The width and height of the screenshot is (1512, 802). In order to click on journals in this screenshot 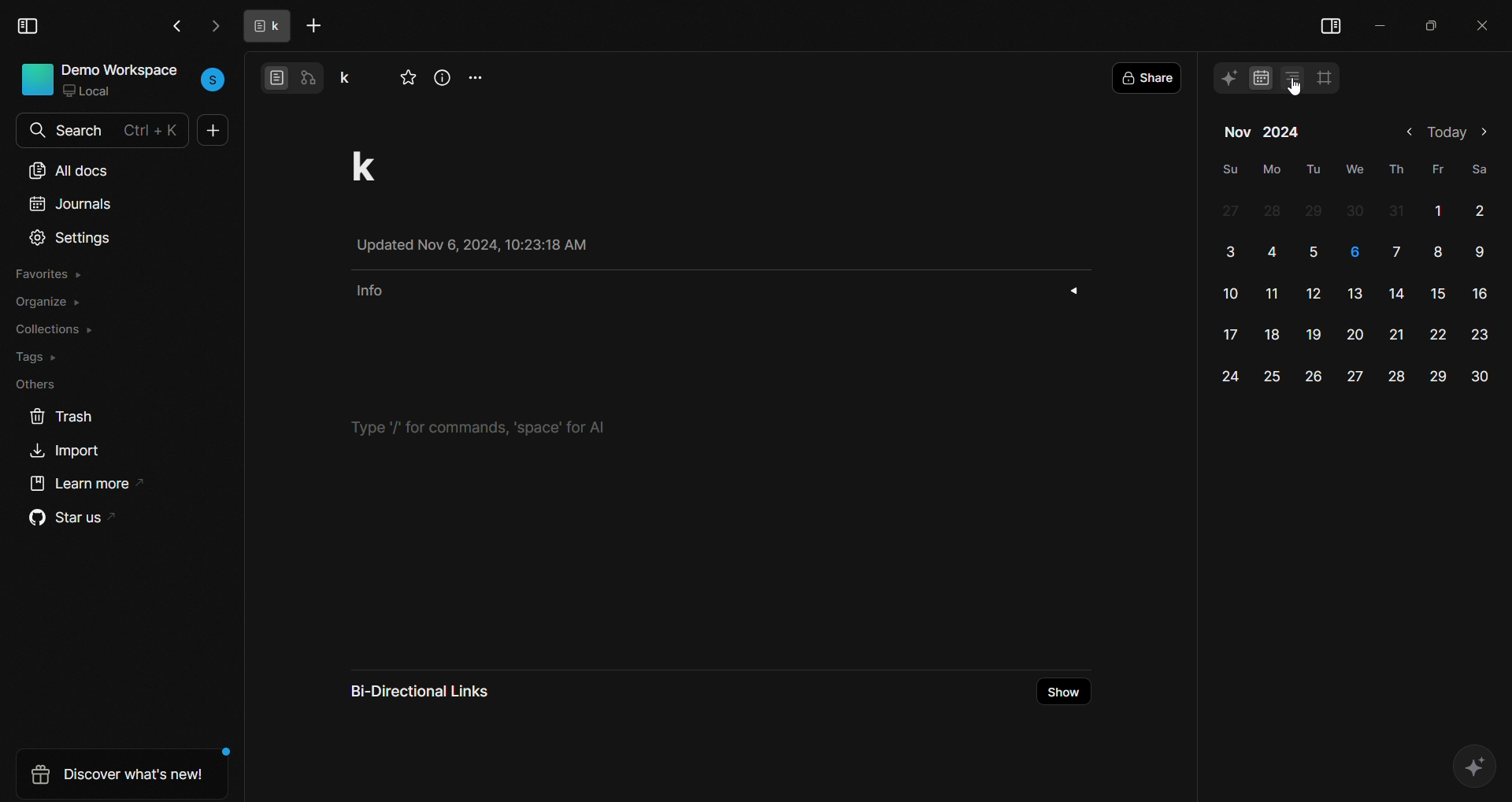, I will do `click(69, 207)`.